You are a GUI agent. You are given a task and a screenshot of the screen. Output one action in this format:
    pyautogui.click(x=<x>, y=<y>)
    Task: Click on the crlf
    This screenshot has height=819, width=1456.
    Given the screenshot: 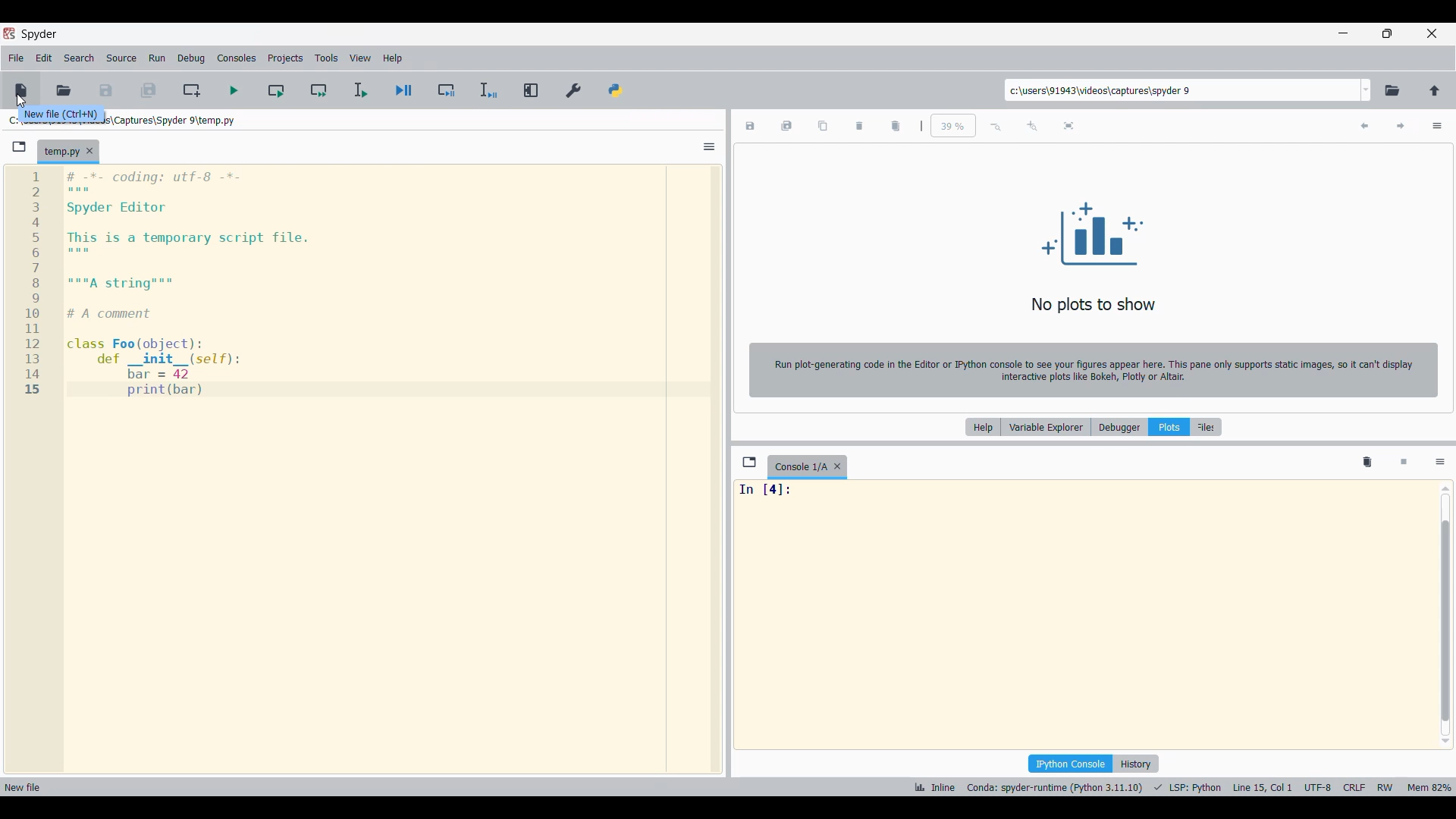 What is the action you would take?
    pyautogui.click(x=1355, y=787)
    